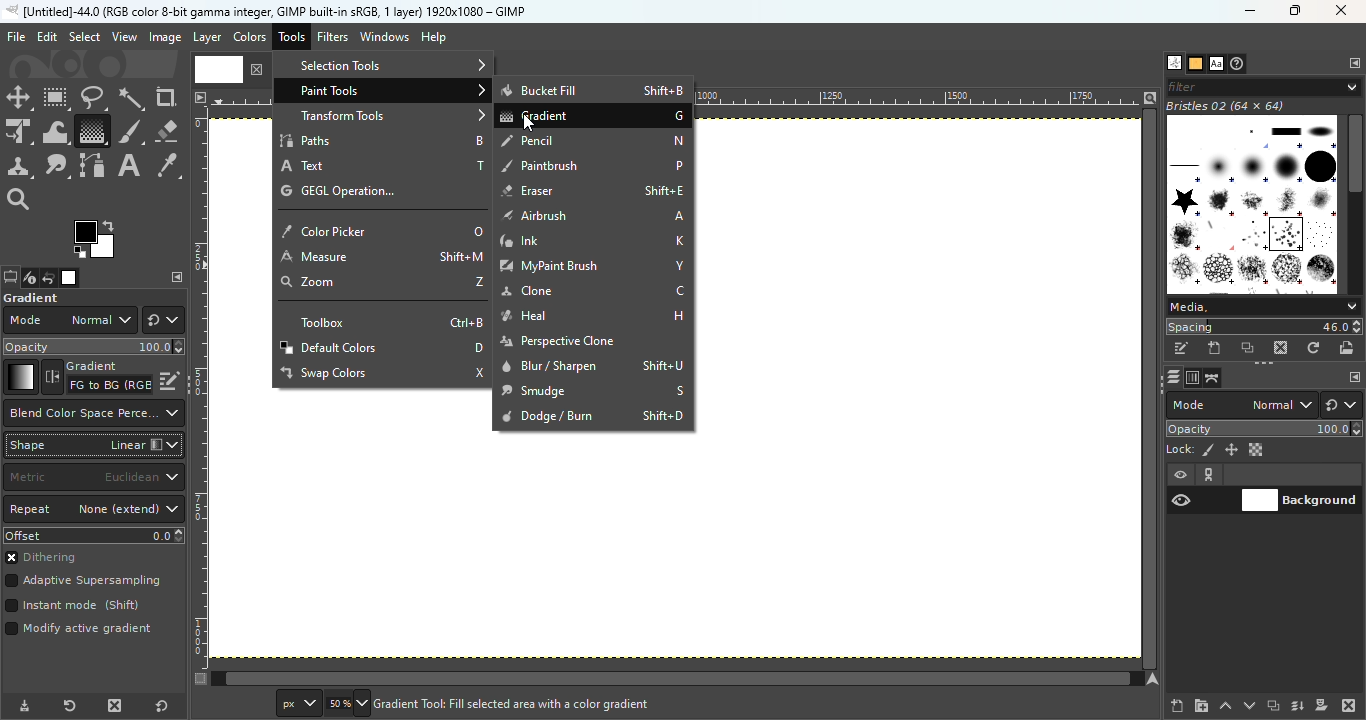 The height and width of the screenshot is (720, 1366). Describe the element at coordinates (166, 127) in the screenshot. I see `Eraser tool` at that location.